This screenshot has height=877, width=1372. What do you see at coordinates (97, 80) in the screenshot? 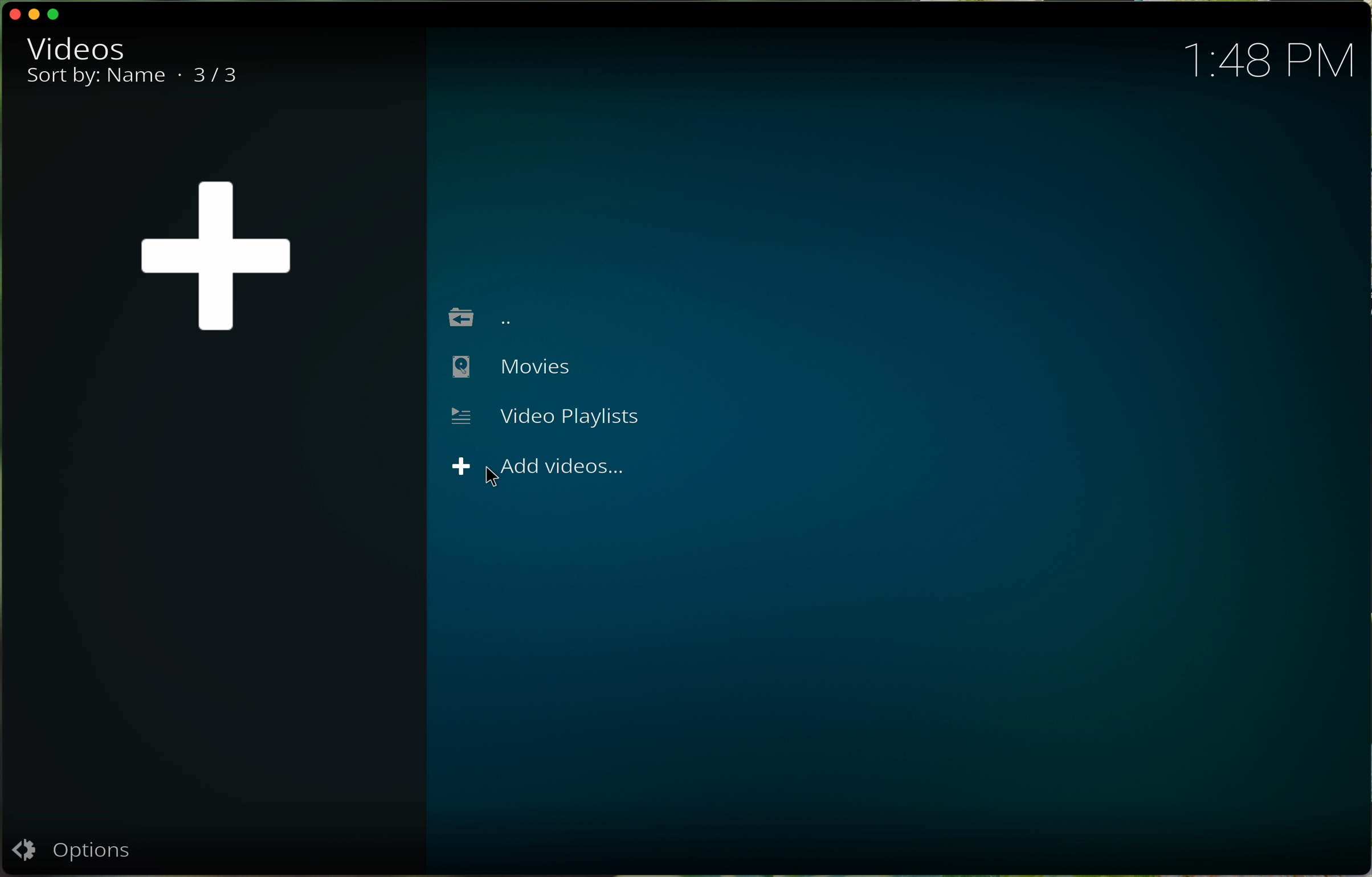
I see `sort by name` at bounding box center [97, 80].